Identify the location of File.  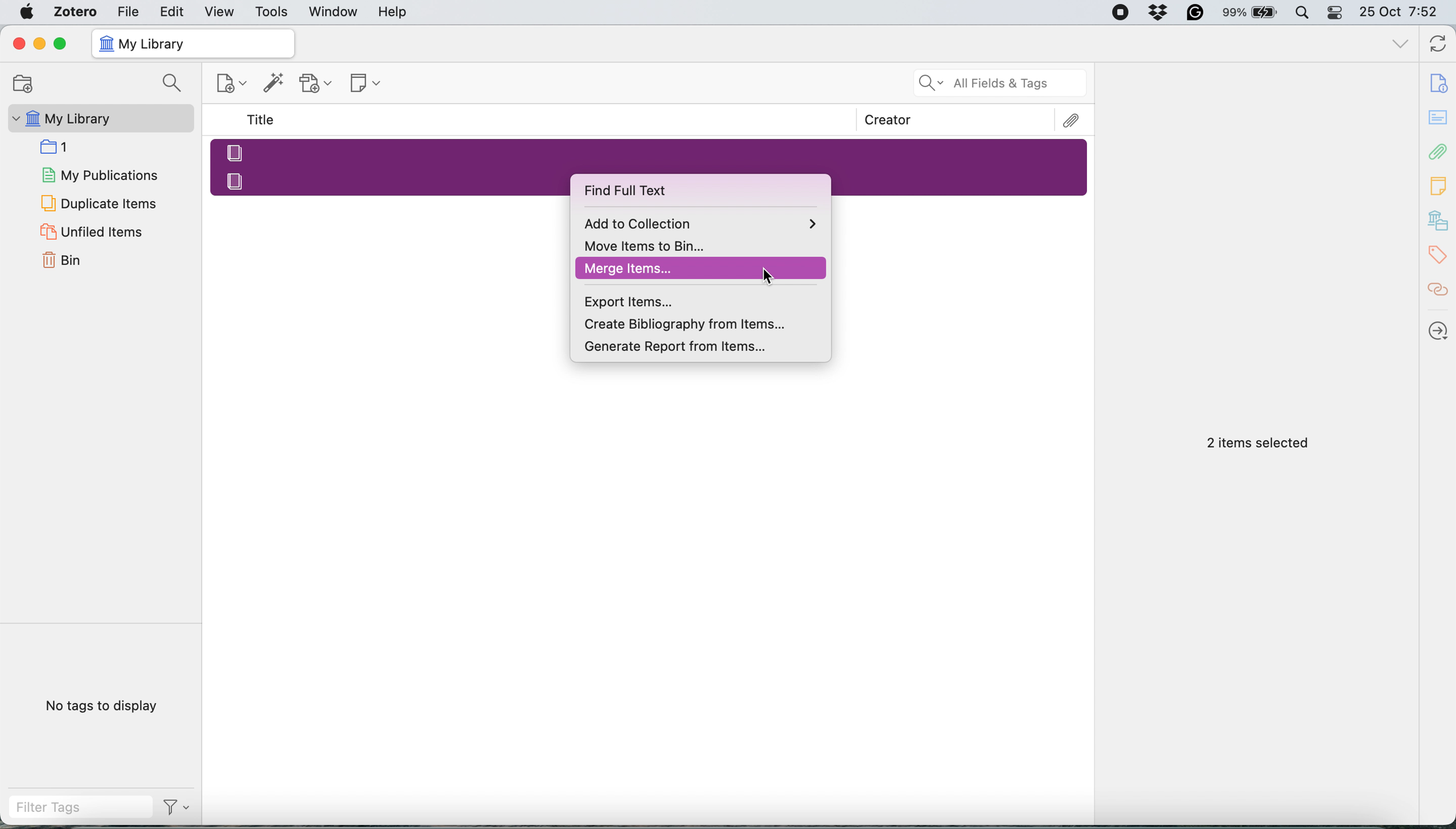
(128, 11).